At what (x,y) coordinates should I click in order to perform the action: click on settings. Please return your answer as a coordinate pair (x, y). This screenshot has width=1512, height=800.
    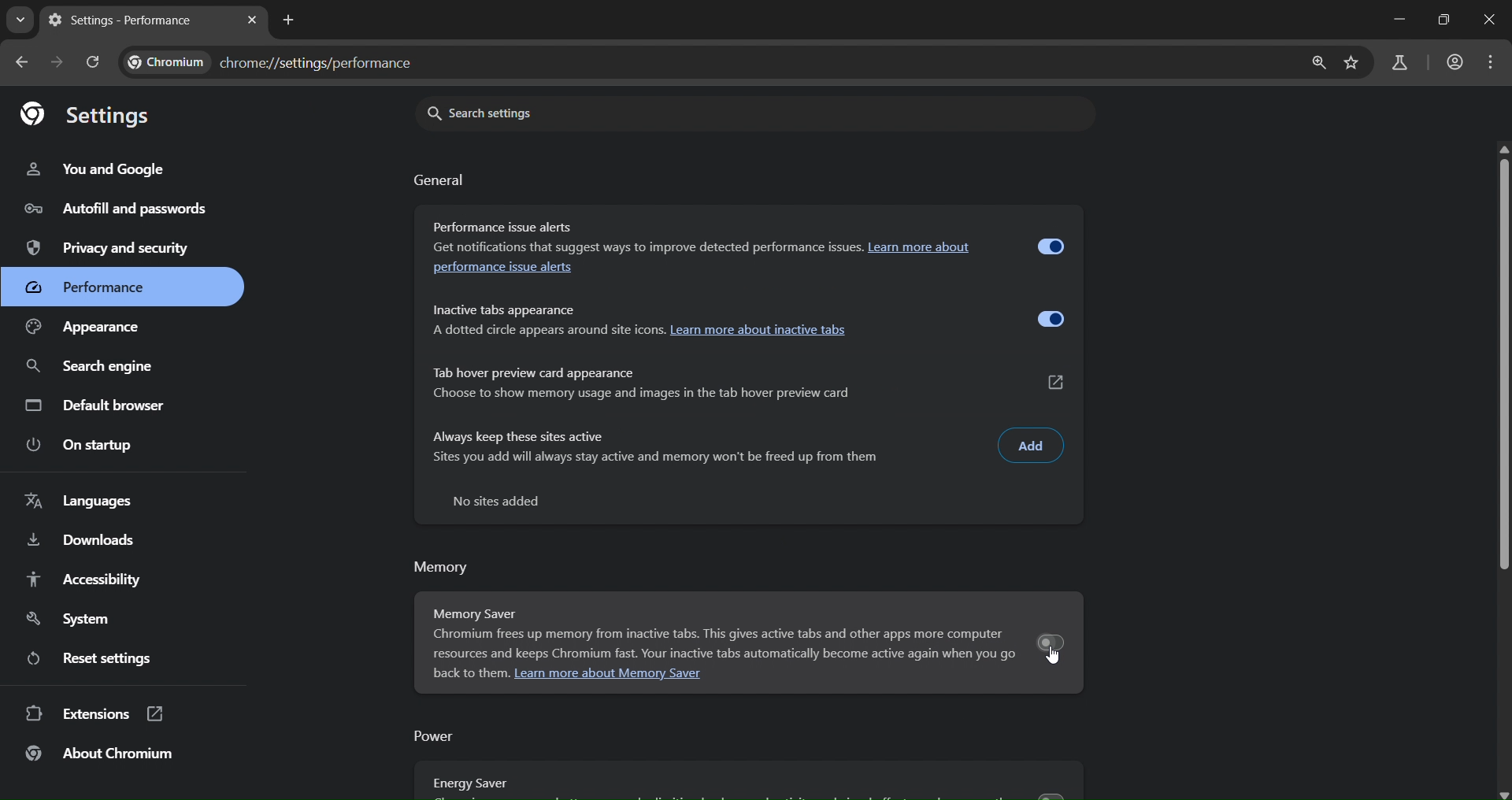
    Looking at the image, I should click on (89, 117).